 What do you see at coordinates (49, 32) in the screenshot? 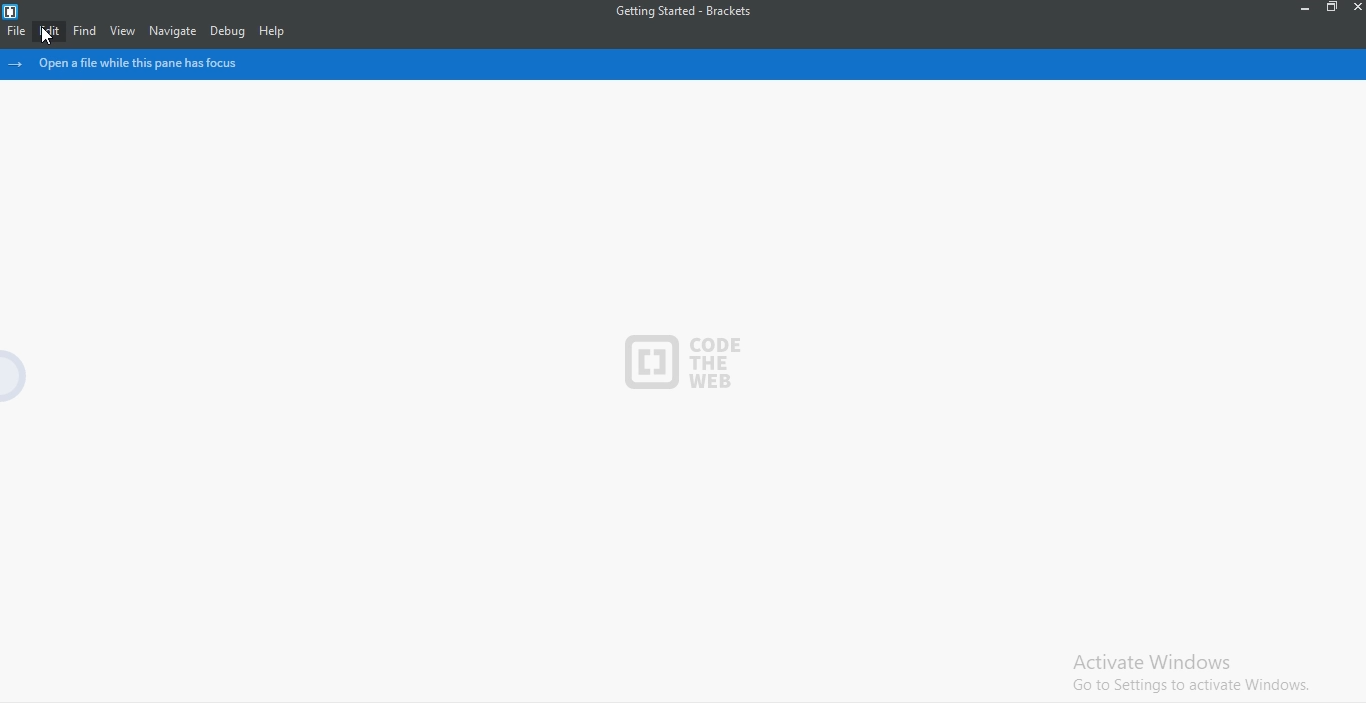
I see `edit` at bounding box center [49, 32].